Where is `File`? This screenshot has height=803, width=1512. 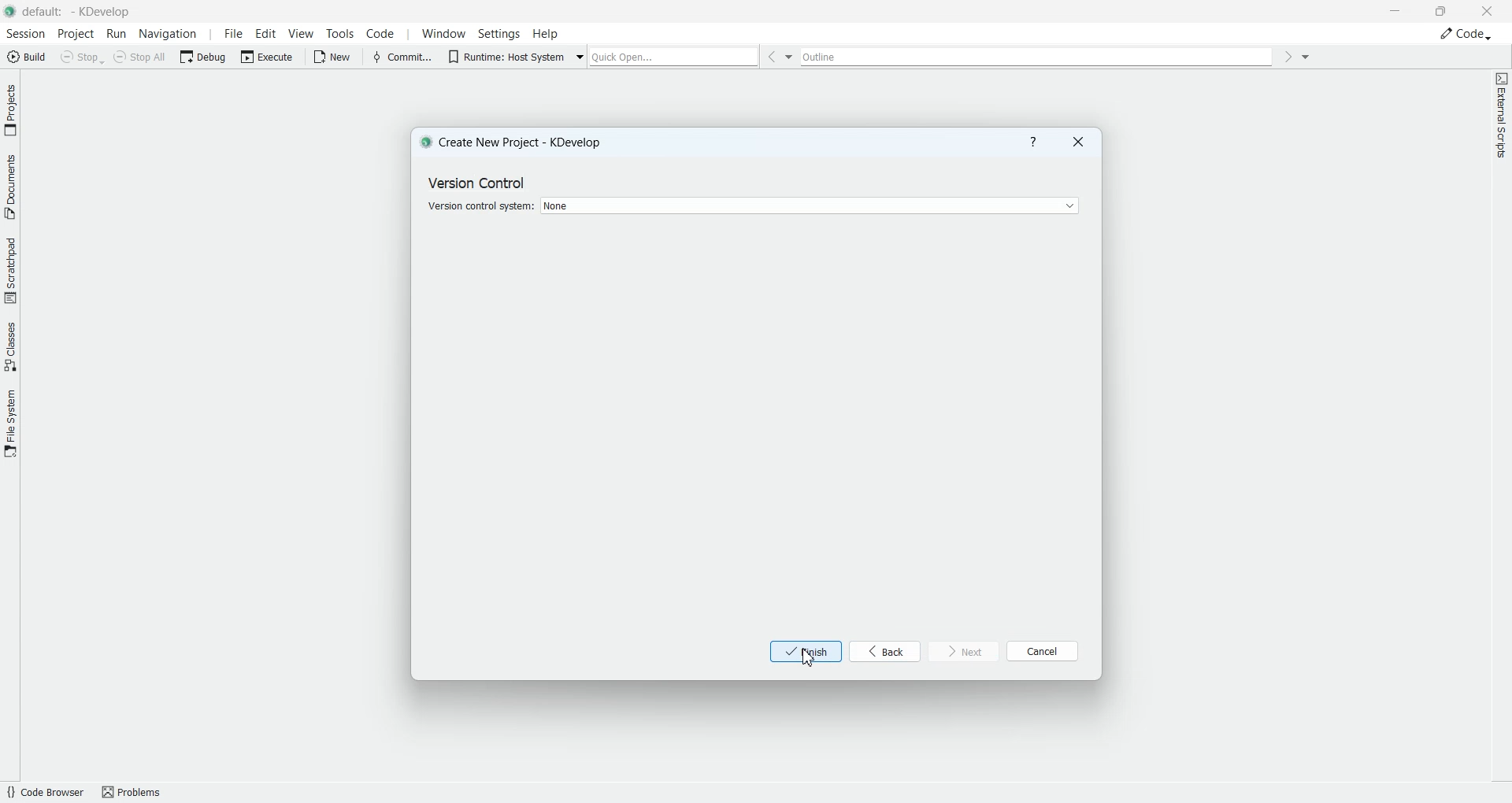 File is located at coordinates (231, 34).